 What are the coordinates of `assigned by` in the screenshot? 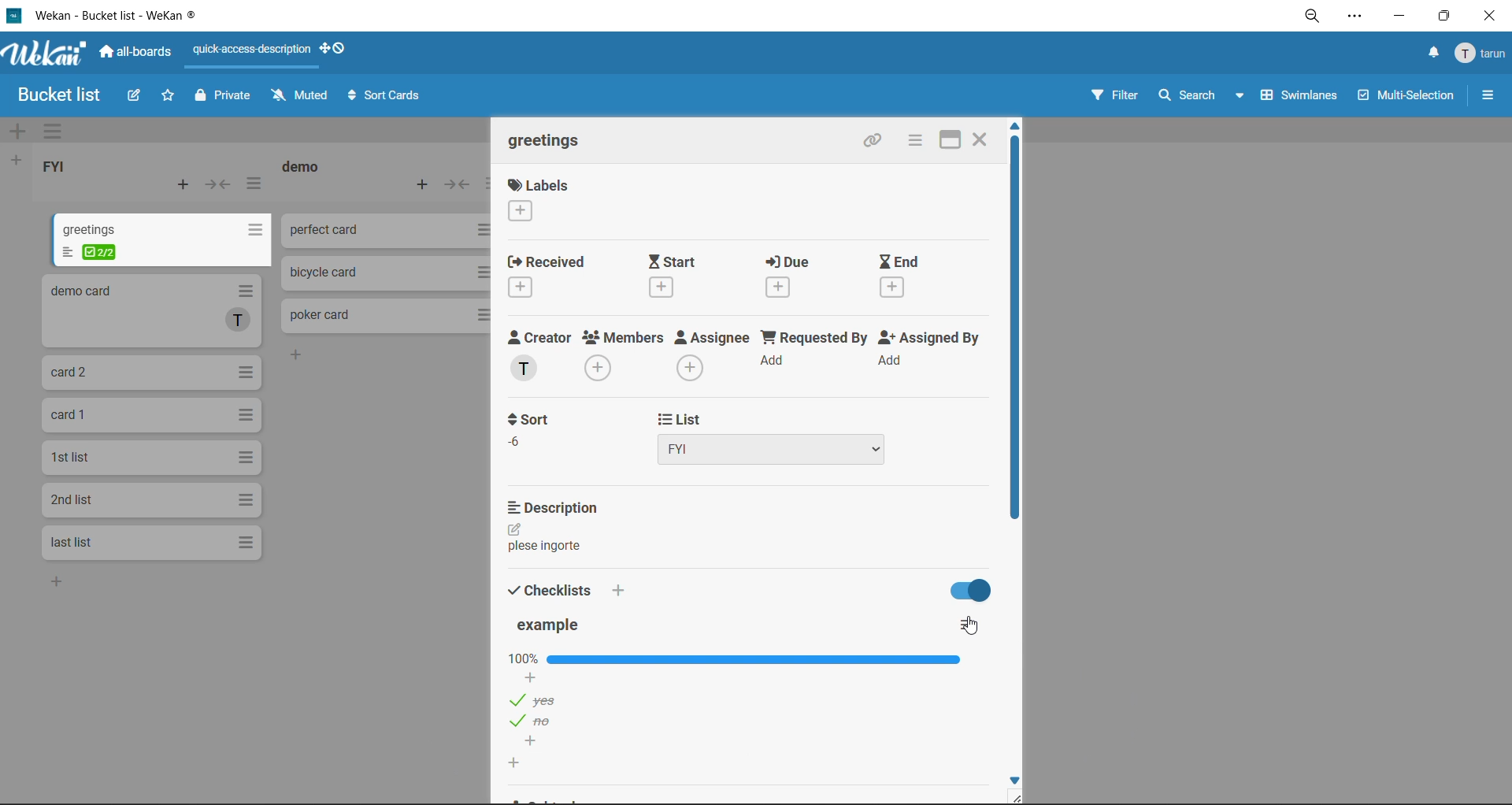 It's located at (929, 352).